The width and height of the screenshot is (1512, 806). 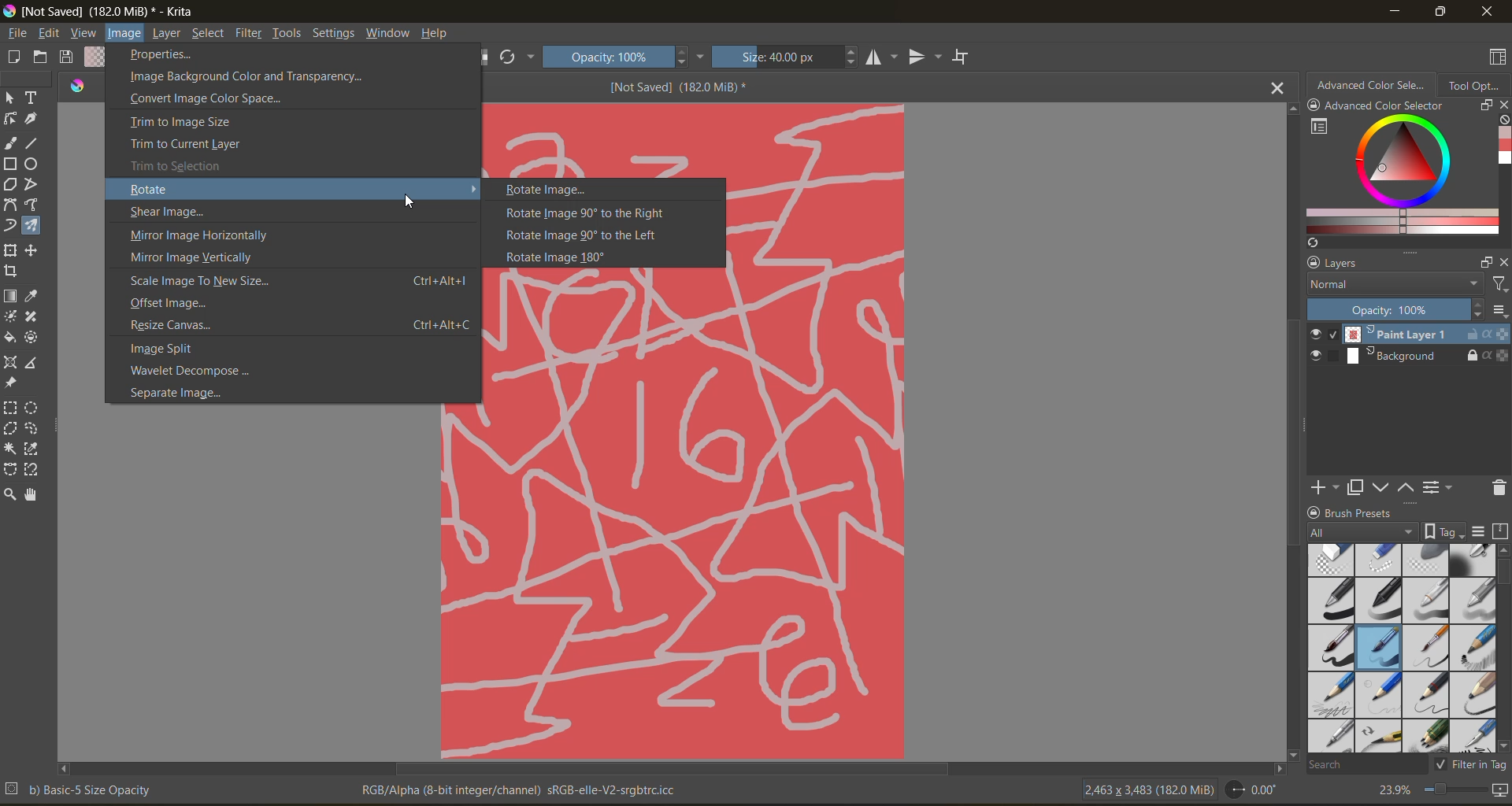 What do you see at coordinates (171, 189) in the screenshot?
I see `rotate` at bounding box center [171, 189].